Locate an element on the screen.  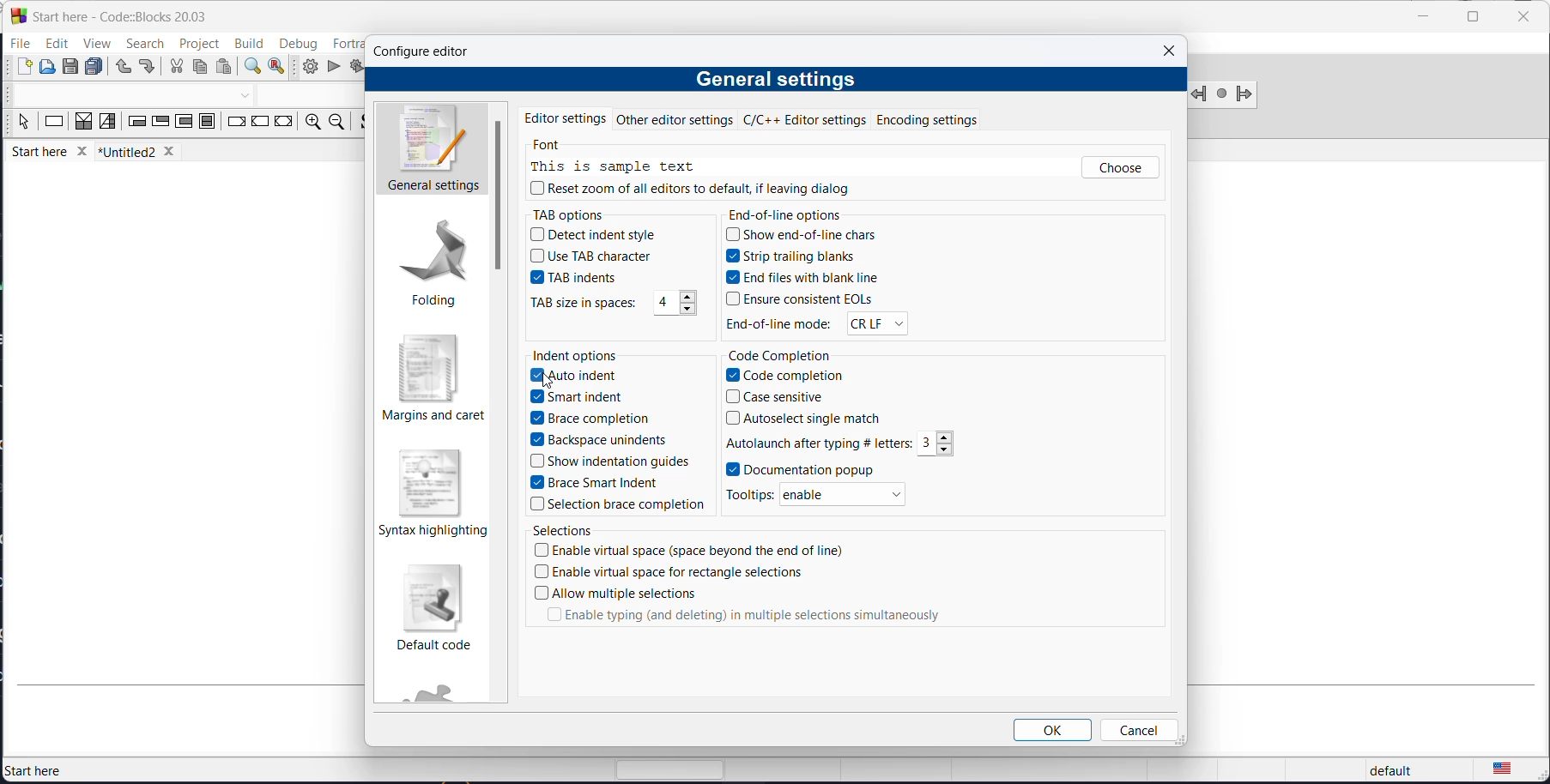
tab indent checkbox is located at coordinates (584, 278).